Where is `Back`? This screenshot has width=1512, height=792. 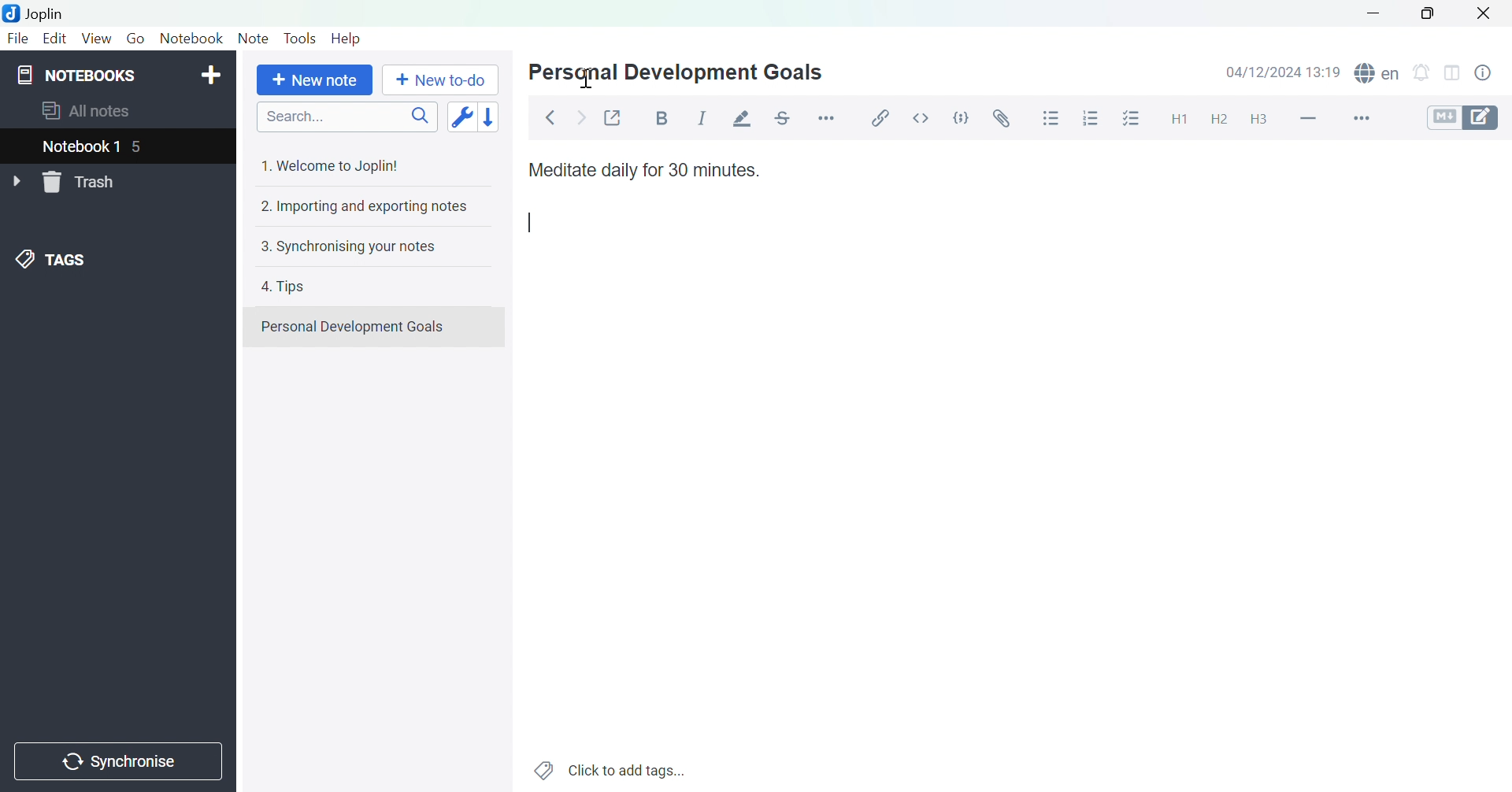
Back is located at coordinates (550, 117).